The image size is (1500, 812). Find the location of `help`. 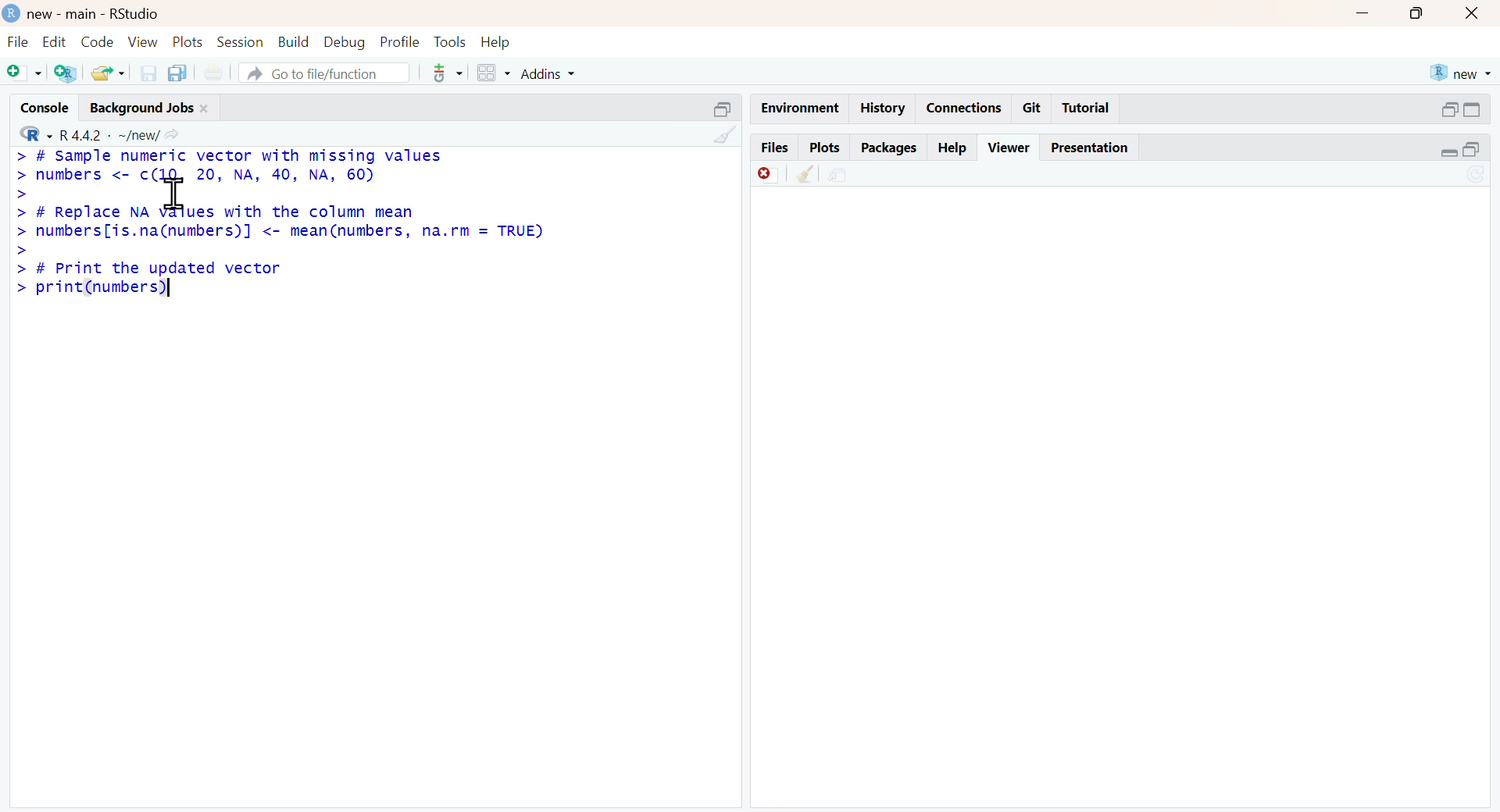

help is located at coordinates (495, 44).